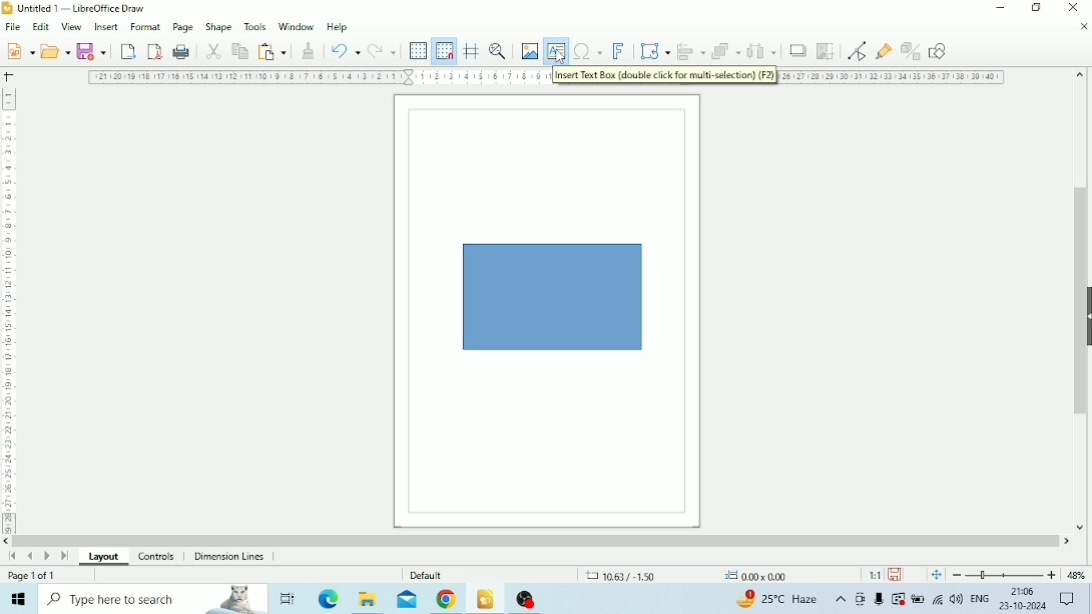 Image resolution: width=1092 pixels, height=614 pixels. I want to click on Horizontal scrollbar, so click(536, 541).